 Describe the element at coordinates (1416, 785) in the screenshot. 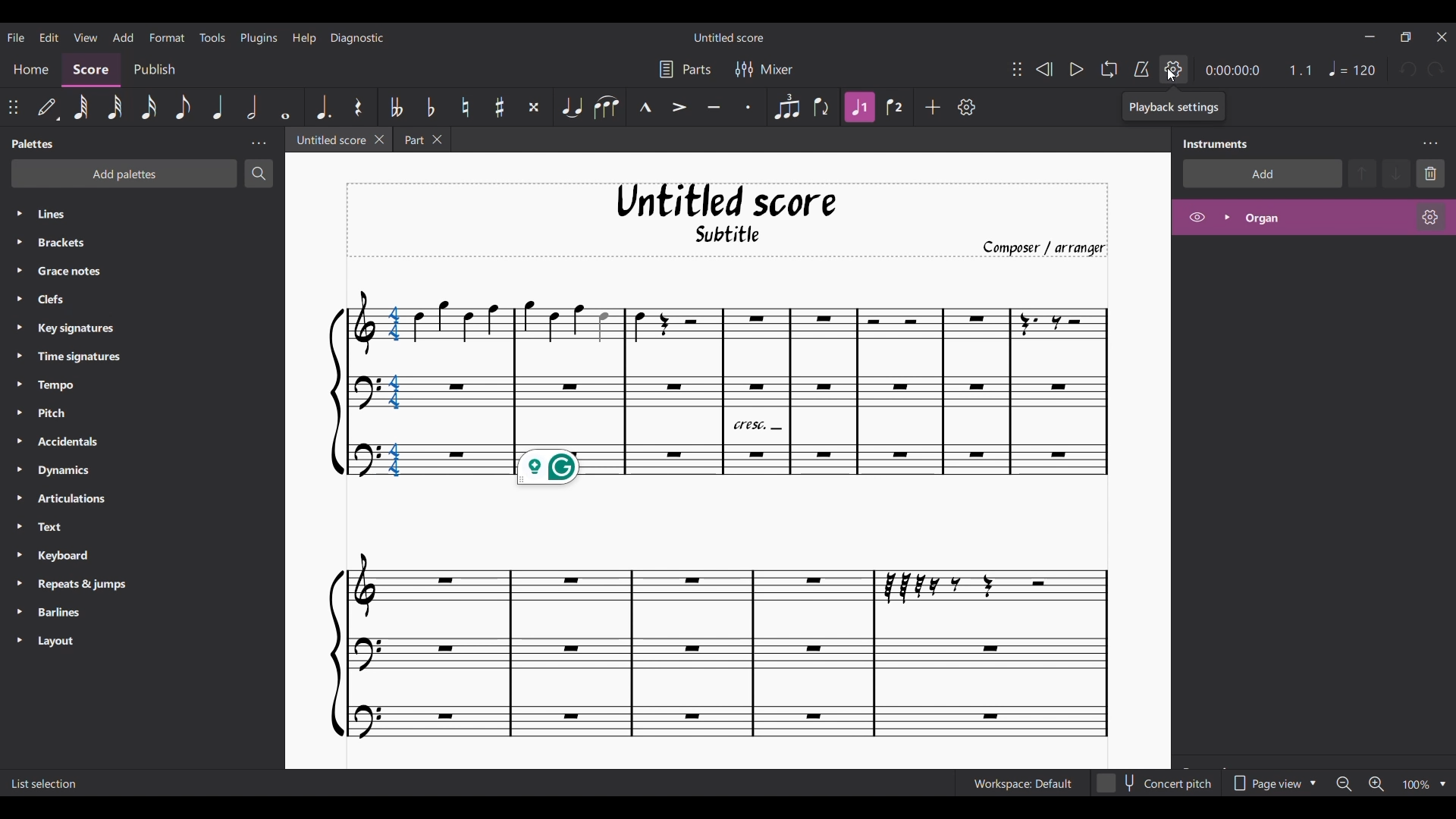

I see `Zoom factor` at that location.